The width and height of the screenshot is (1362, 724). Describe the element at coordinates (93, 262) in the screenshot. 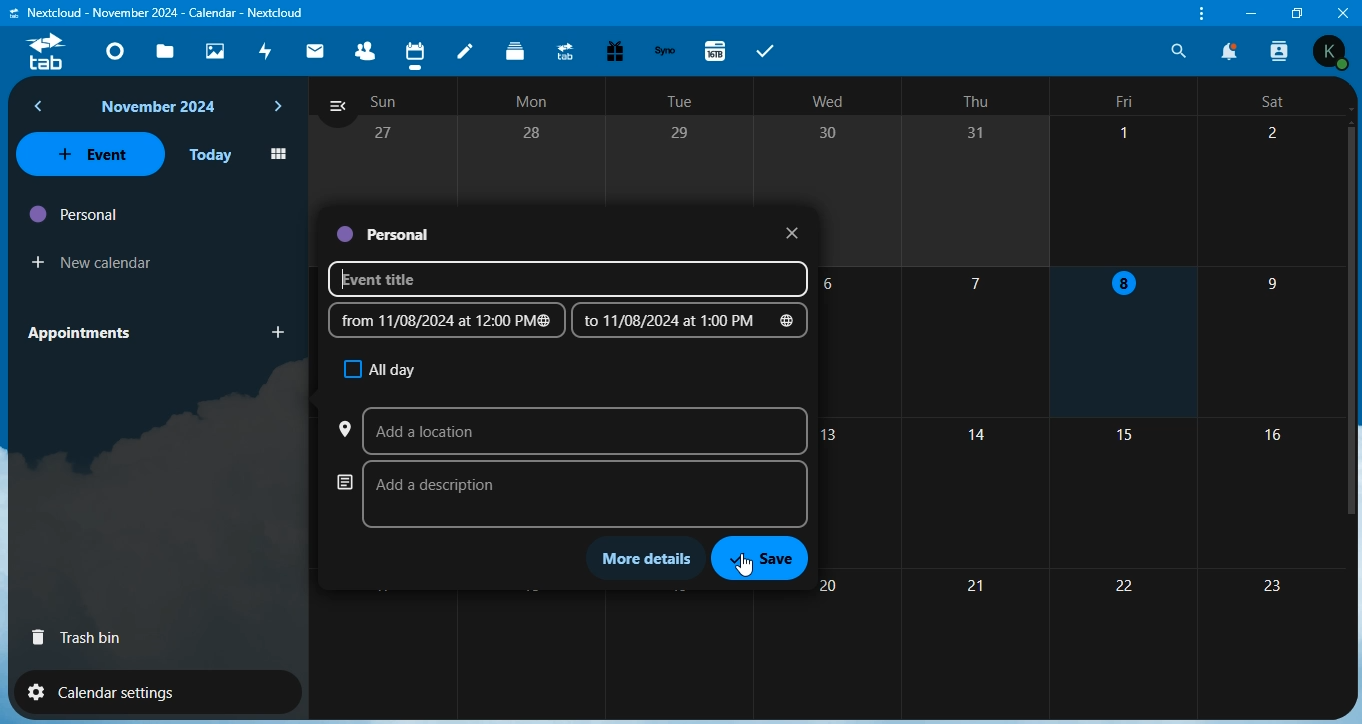

I see `new calendar` at that location.